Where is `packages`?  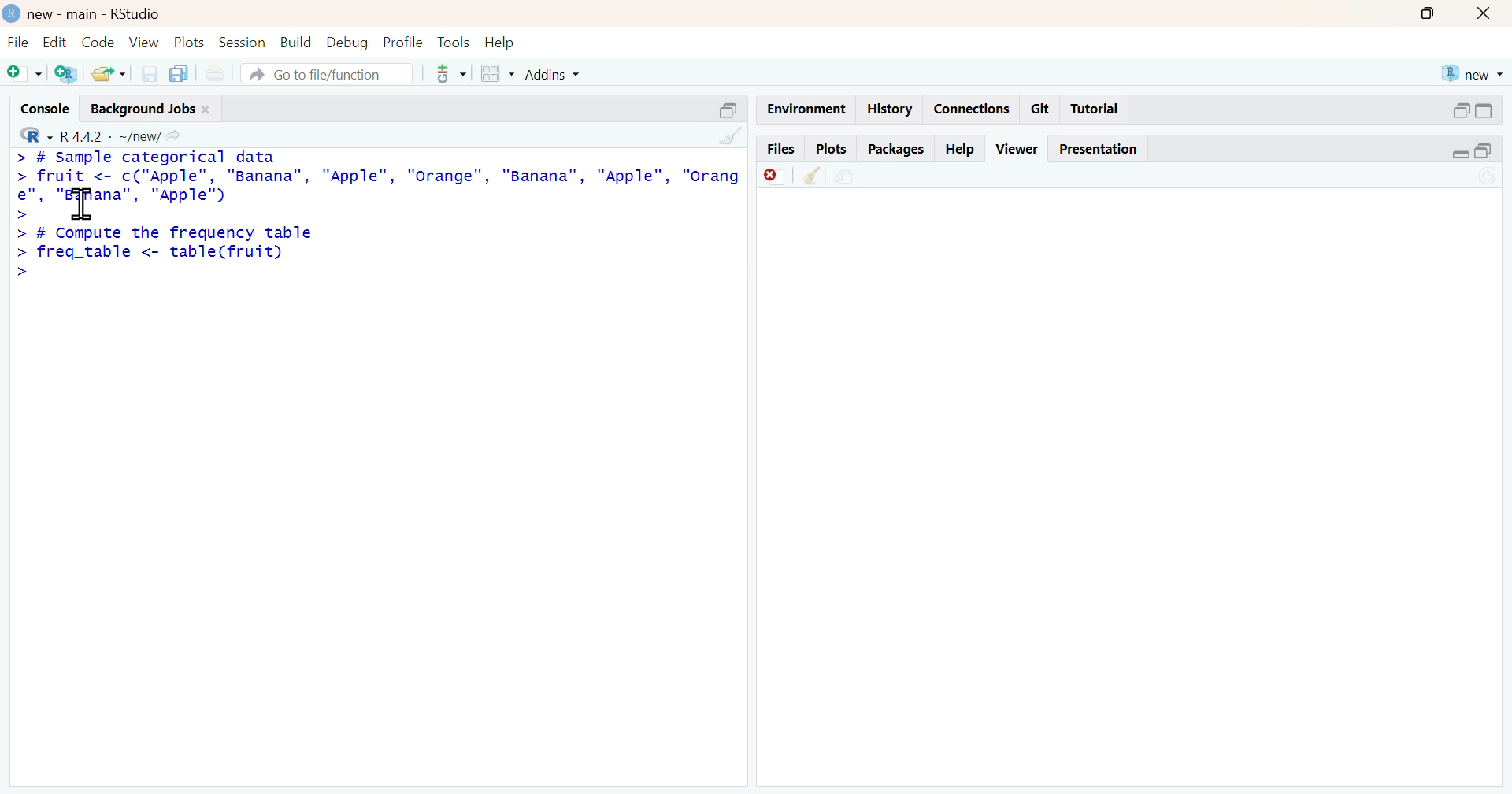 packages is located at coordinates (897, 149).